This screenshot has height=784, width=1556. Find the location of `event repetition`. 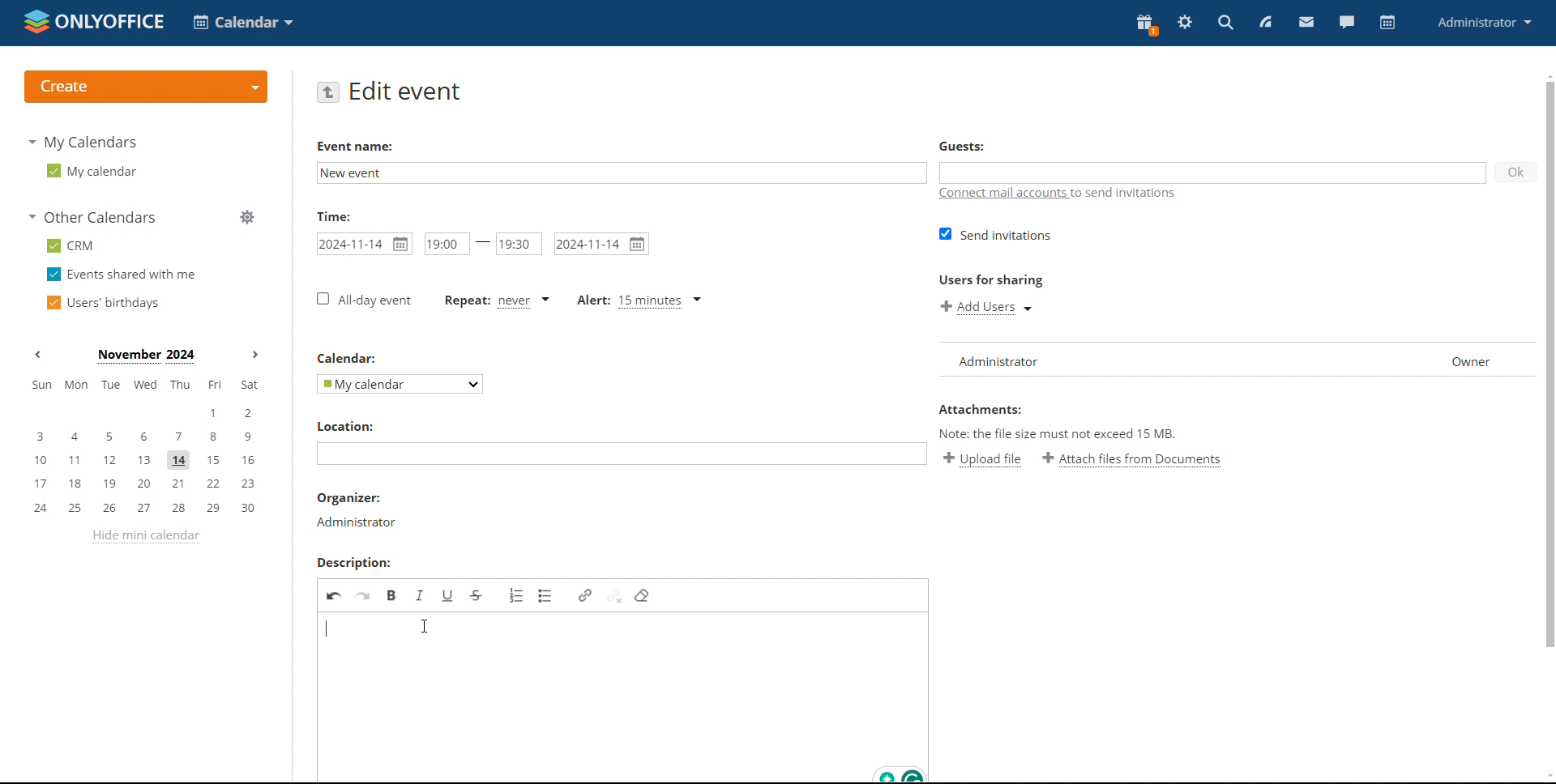

event repetition is located at coordinates (498, 300).